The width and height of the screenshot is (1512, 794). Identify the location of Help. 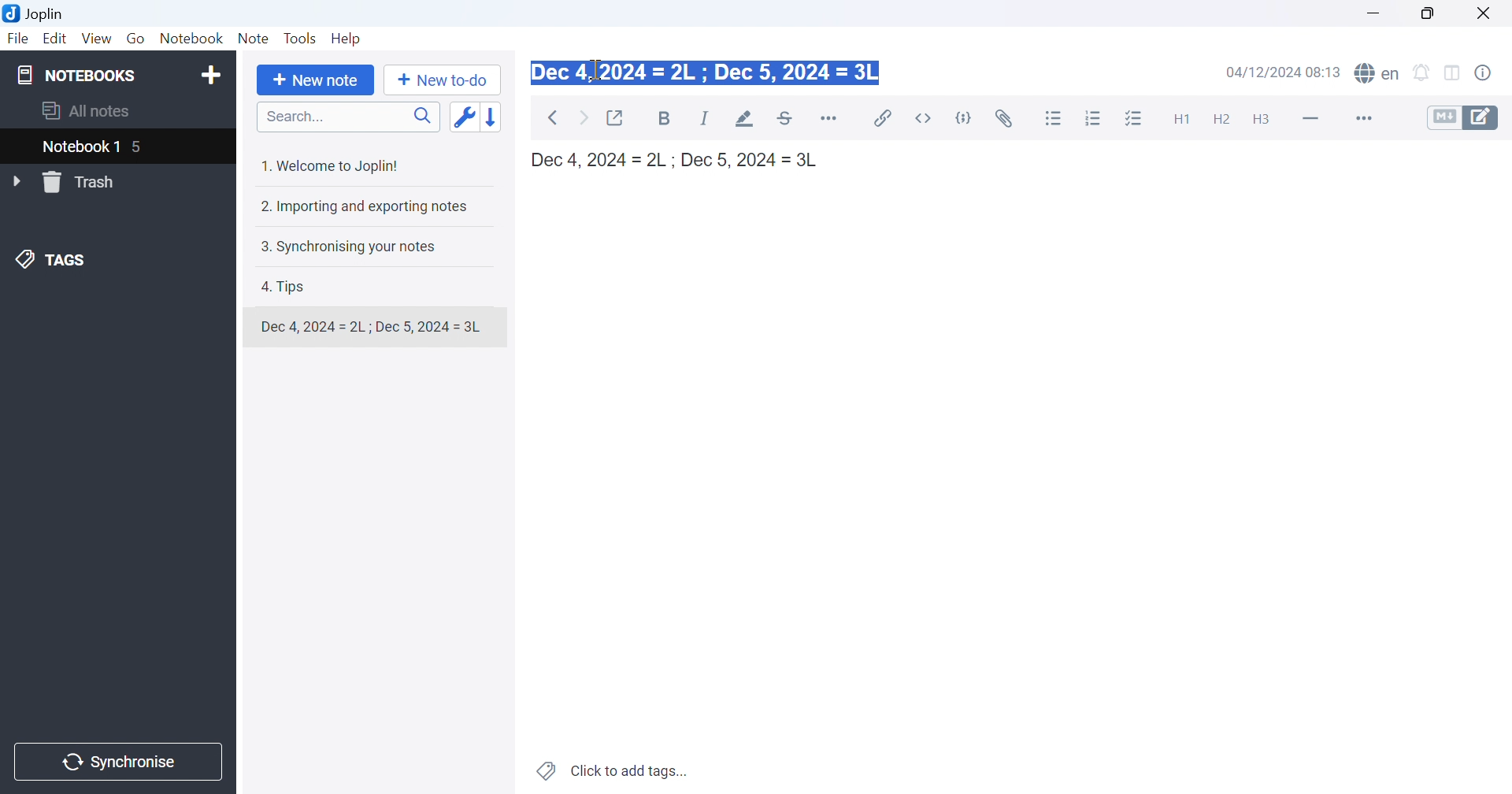
(351, 39).